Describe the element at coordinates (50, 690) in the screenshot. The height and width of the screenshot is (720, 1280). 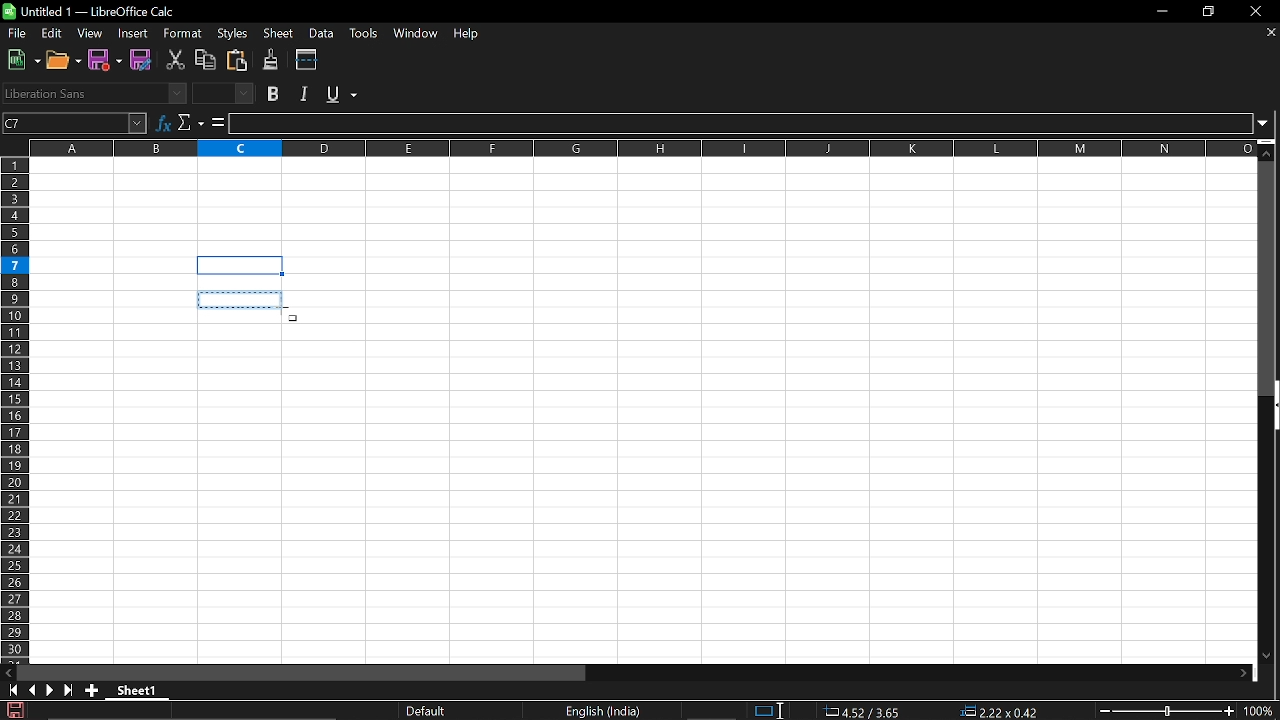
I see `Next sheet` at that location.